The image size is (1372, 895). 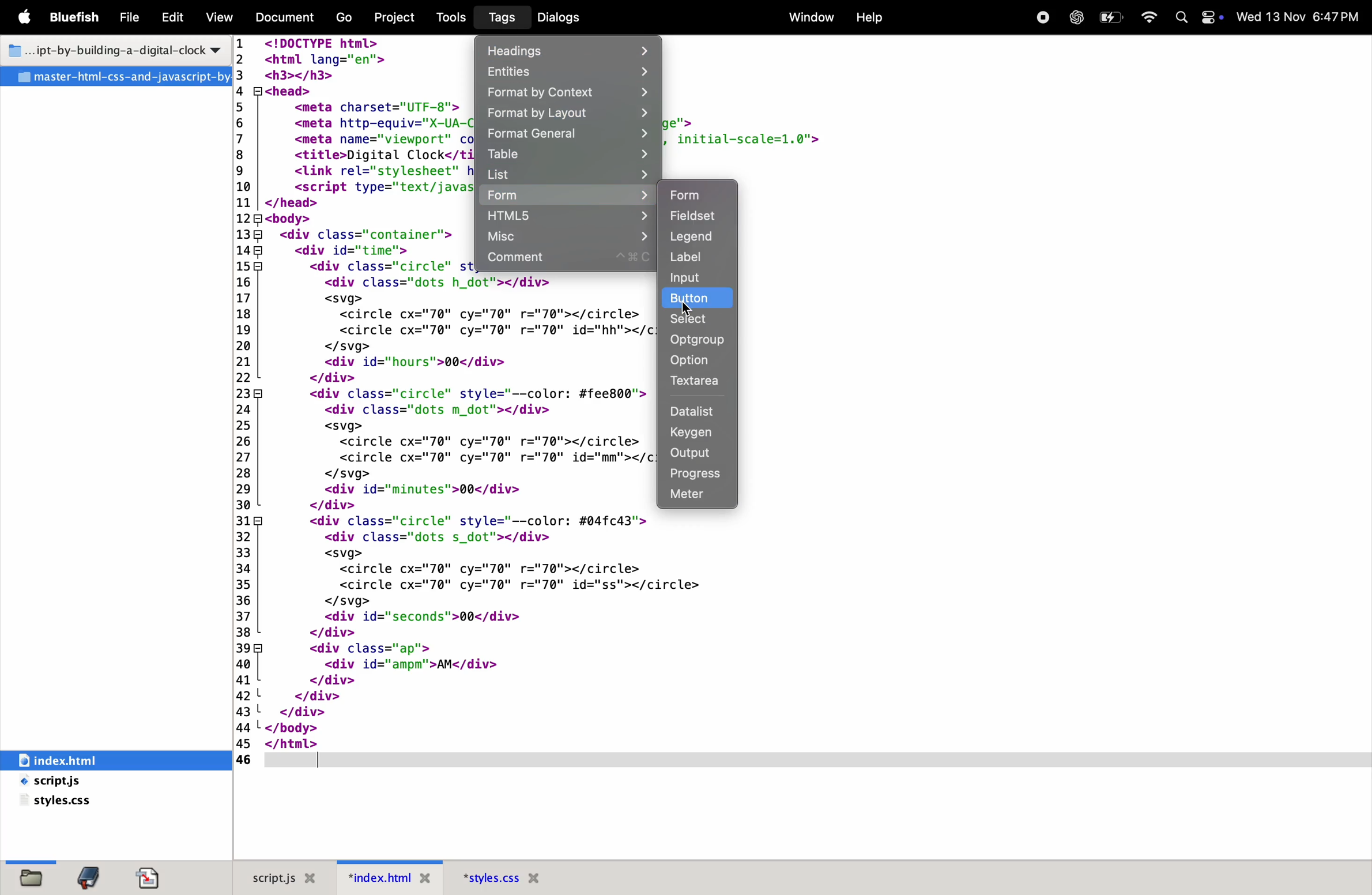 What do you see at coordinates (701, 454) in the screenshot?
I see `output` at bounding box center [701, 454].